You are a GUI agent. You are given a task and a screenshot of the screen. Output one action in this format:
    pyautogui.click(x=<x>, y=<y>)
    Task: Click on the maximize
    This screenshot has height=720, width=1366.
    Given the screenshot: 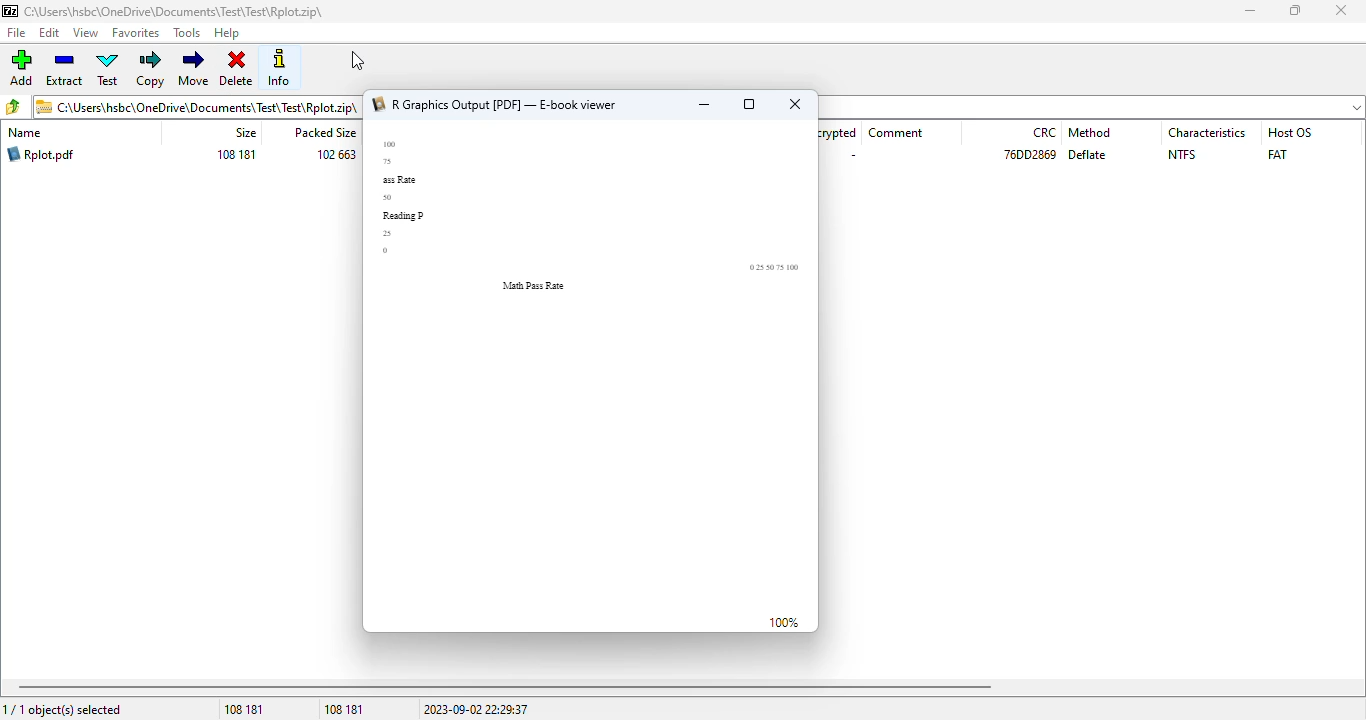 What is the action you would take?
    pyautogui.click(x=1296, y=10)
    